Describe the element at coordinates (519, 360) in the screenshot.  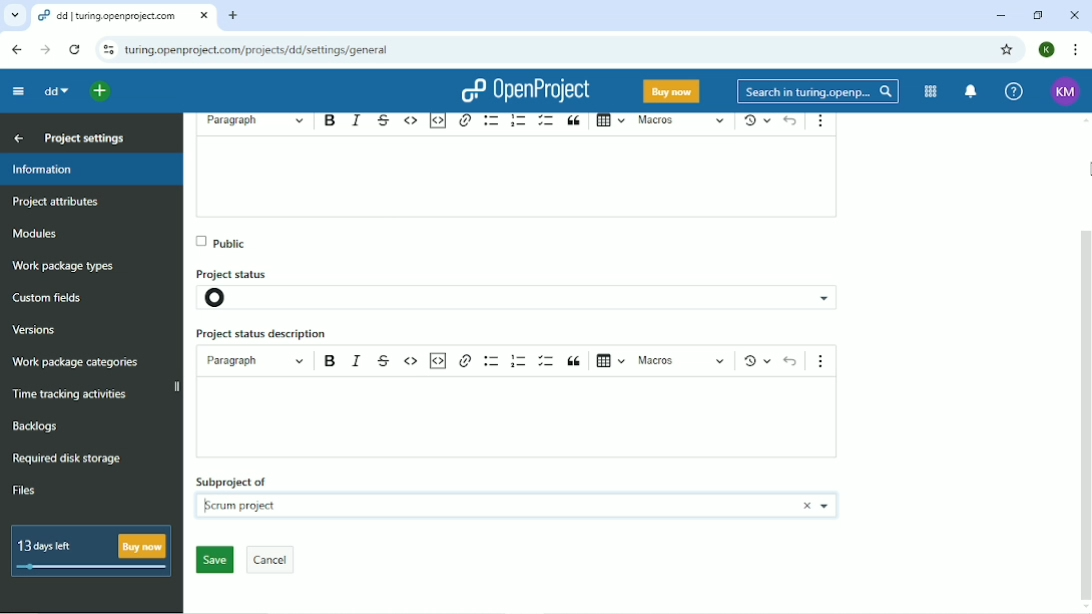
I see `Numbered list` at that location.